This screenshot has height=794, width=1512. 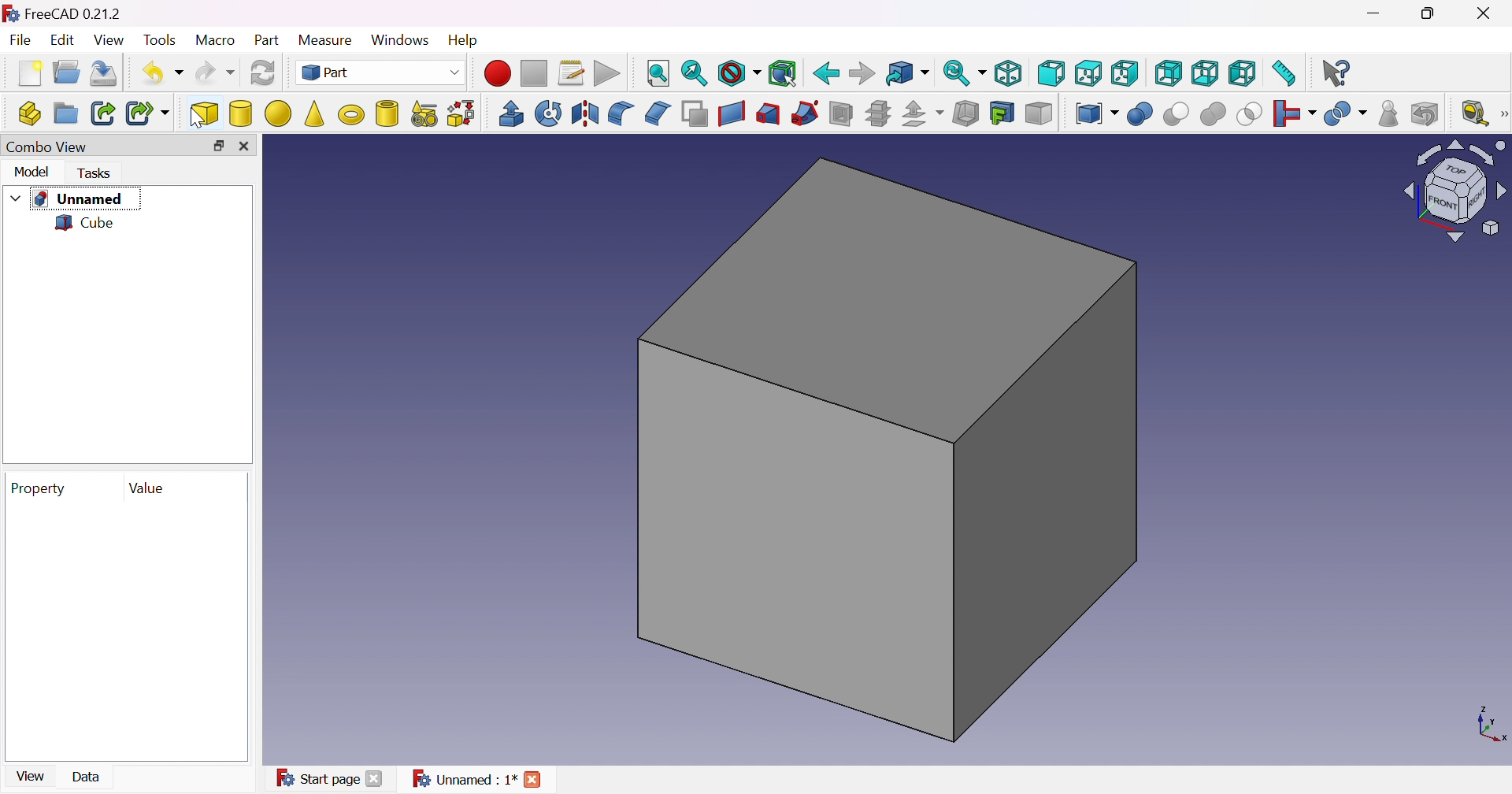 I want to click on Macros, so click(x=574, y=74).